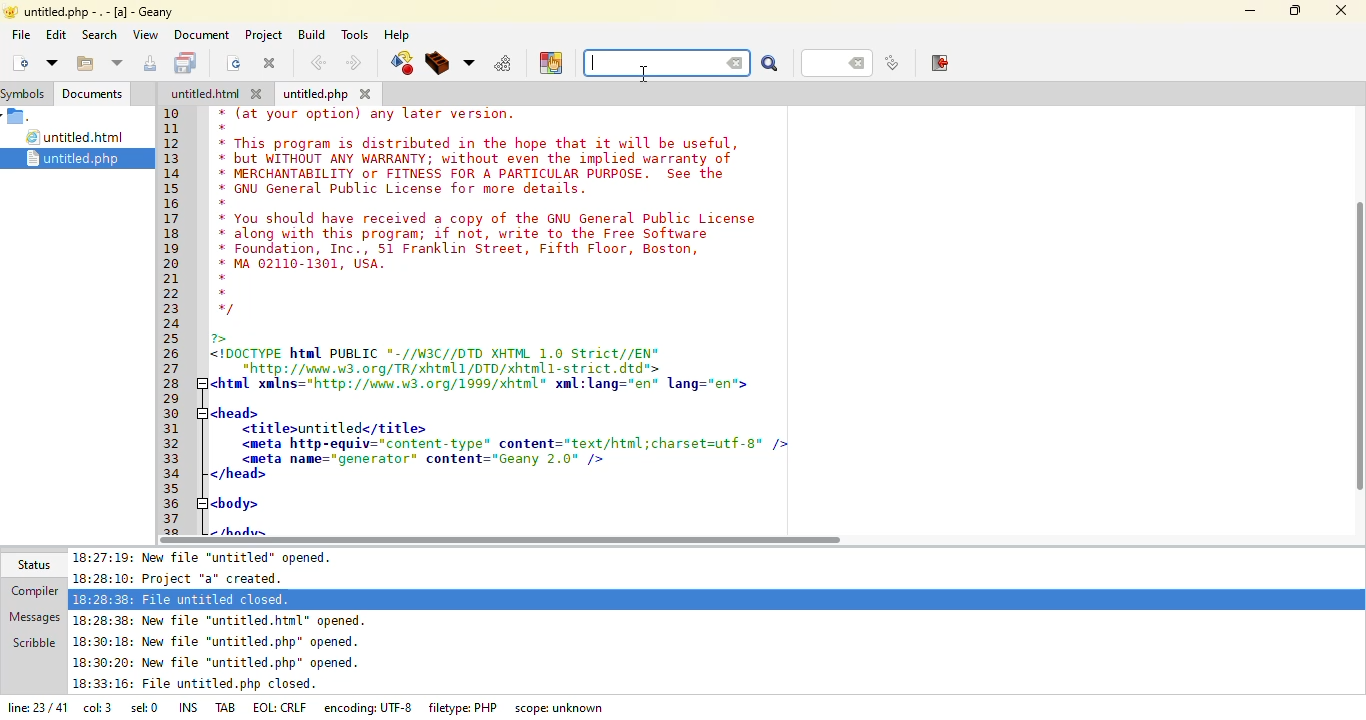 This screenshot has width=1366, height=720. I want to click on help, so click(396, 35).